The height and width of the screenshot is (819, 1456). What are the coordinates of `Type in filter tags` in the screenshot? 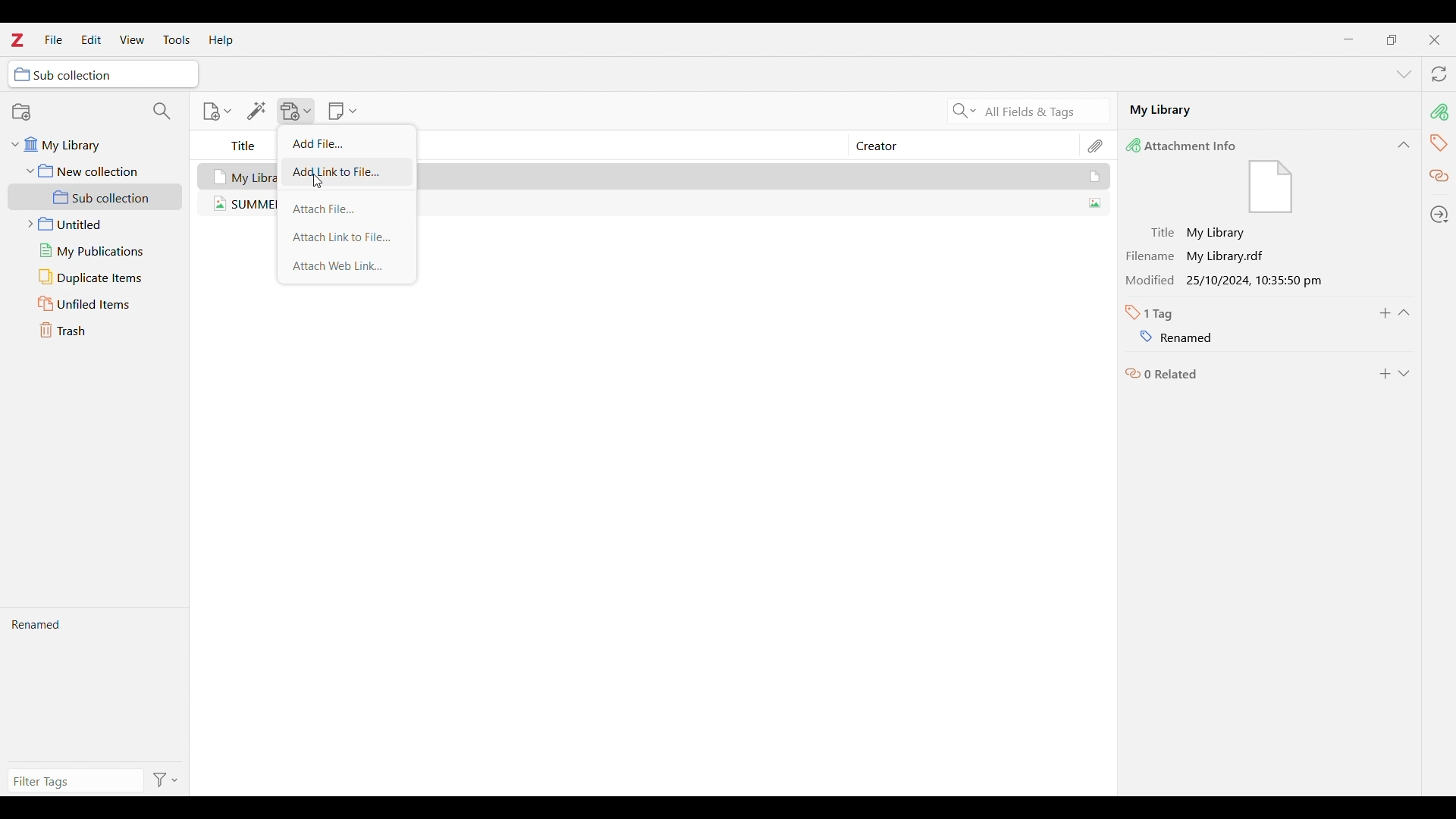 It's located at (75, 780).